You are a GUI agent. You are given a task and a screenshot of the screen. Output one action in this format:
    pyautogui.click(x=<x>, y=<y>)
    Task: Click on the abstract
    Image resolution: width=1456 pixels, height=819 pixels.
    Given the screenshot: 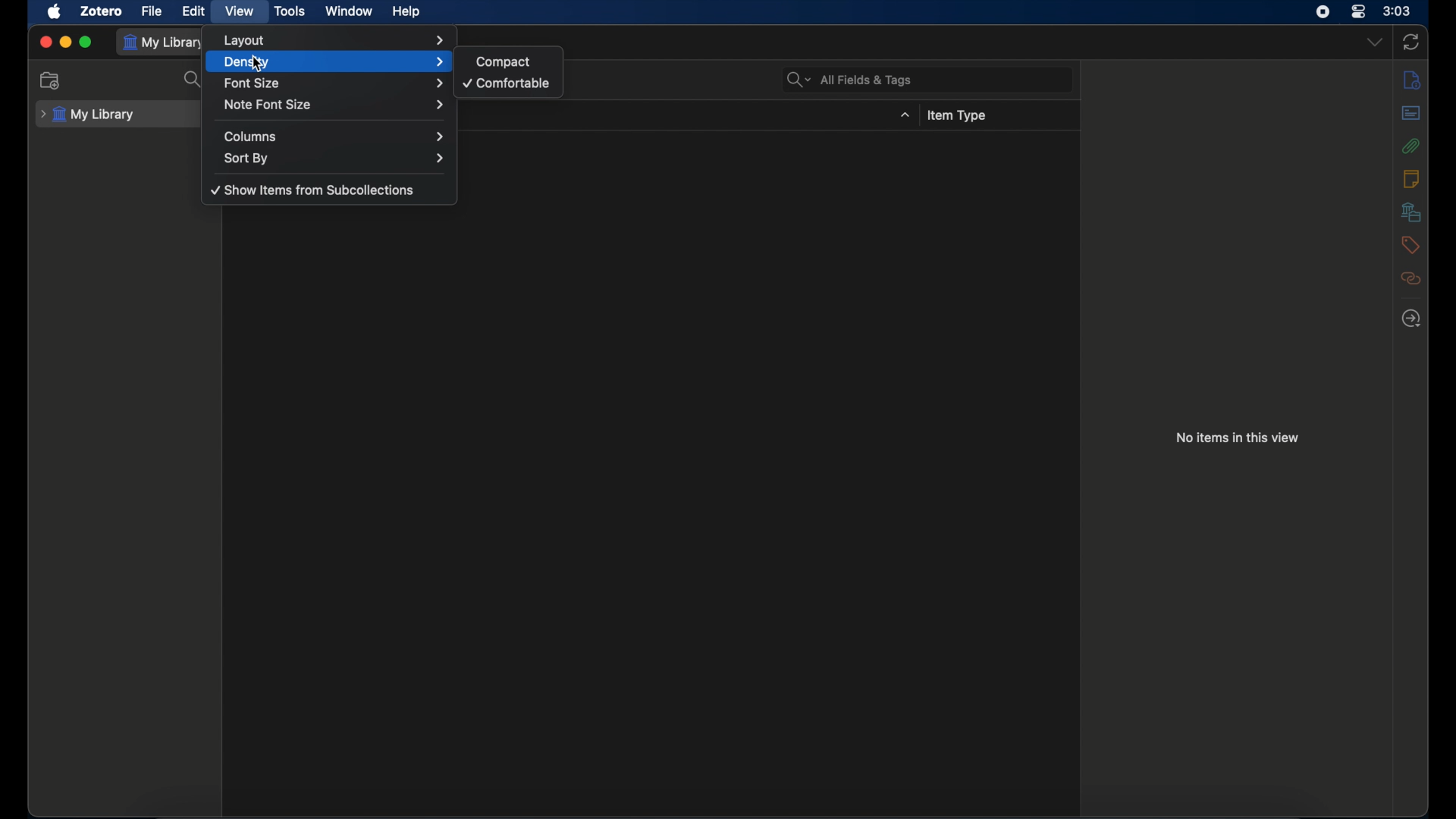 What is the action you would take?
    pyautogui.click(x=1411, y=112)
    